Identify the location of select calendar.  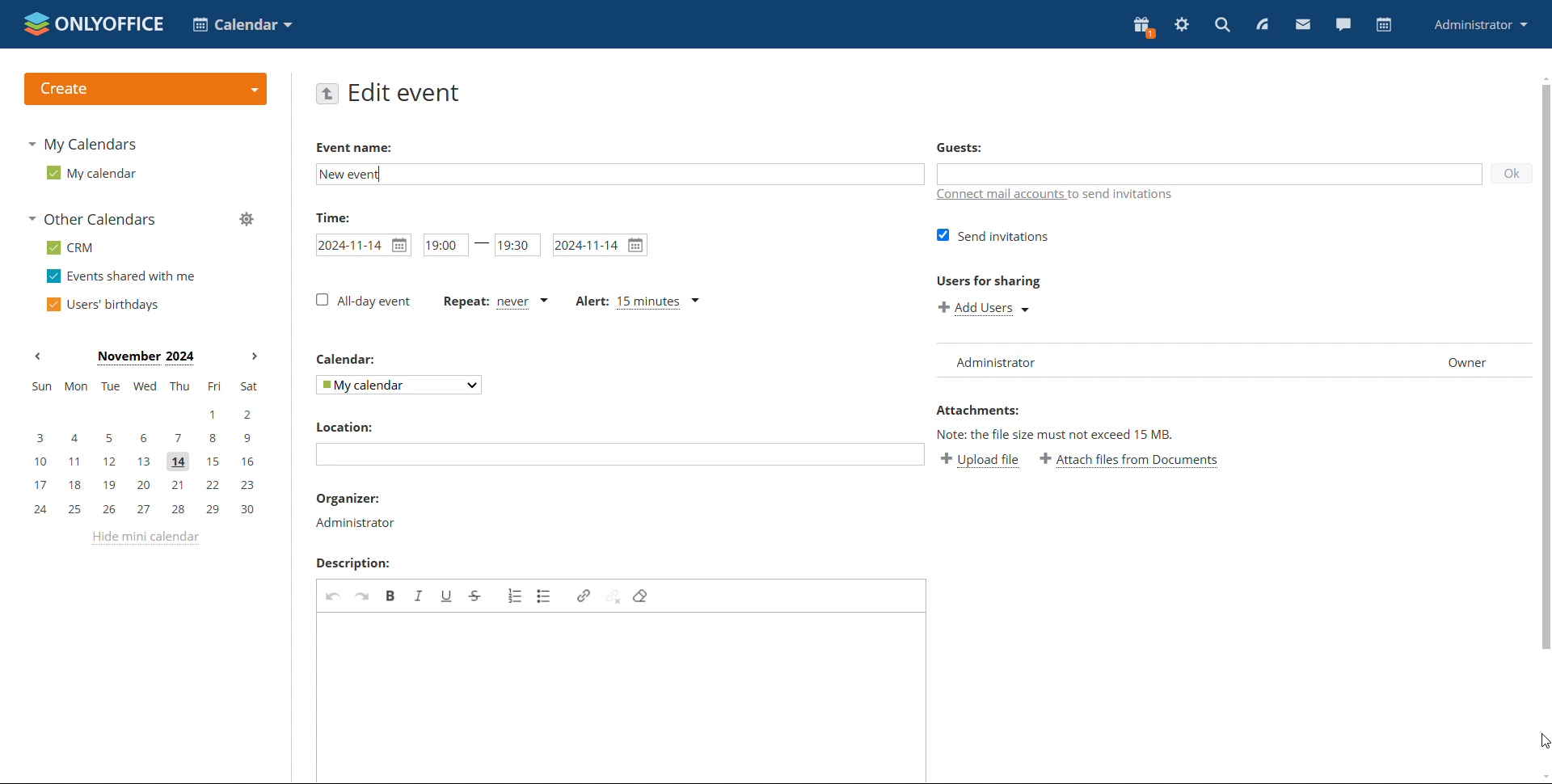
(400, 386).